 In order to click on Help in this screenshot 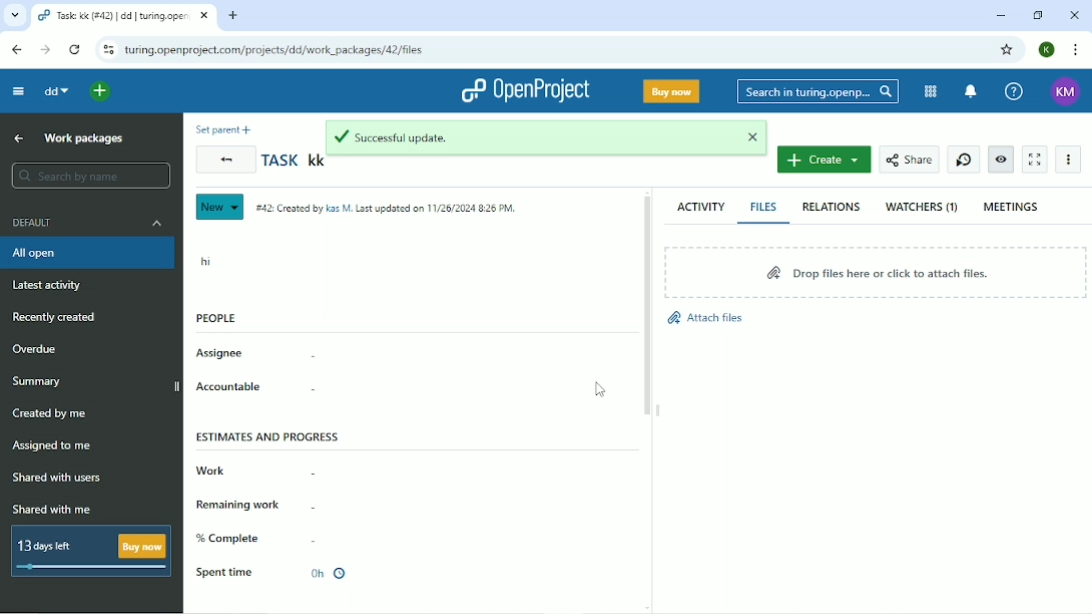, I will do `click(1014, 90)`.